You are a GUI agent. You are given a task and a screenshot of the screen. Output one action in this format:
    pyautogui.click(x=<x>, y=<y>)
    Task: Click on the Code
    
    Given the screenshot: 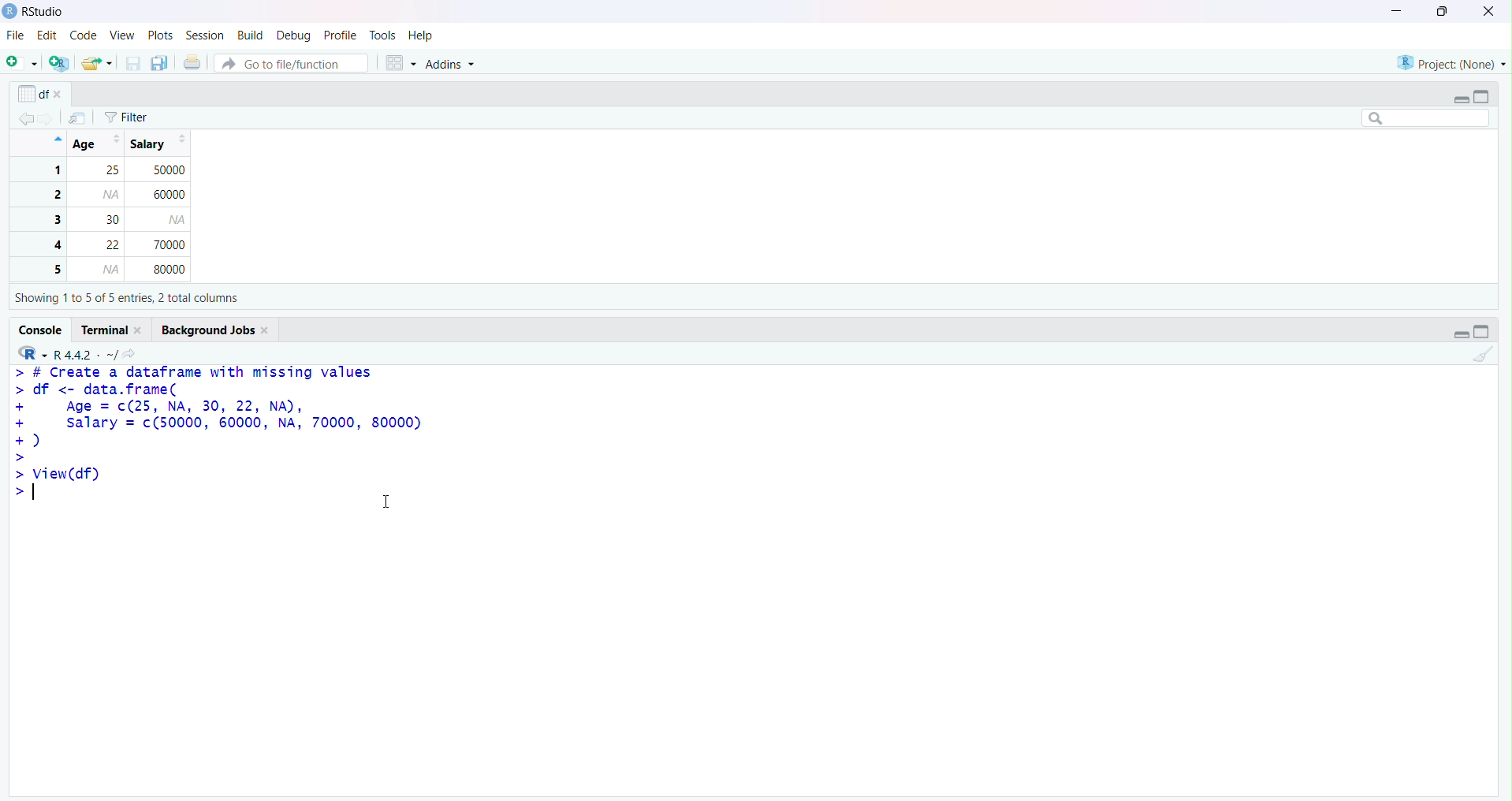 What is the action you would take?
    pyautogui.click(x=84, y=36)
    